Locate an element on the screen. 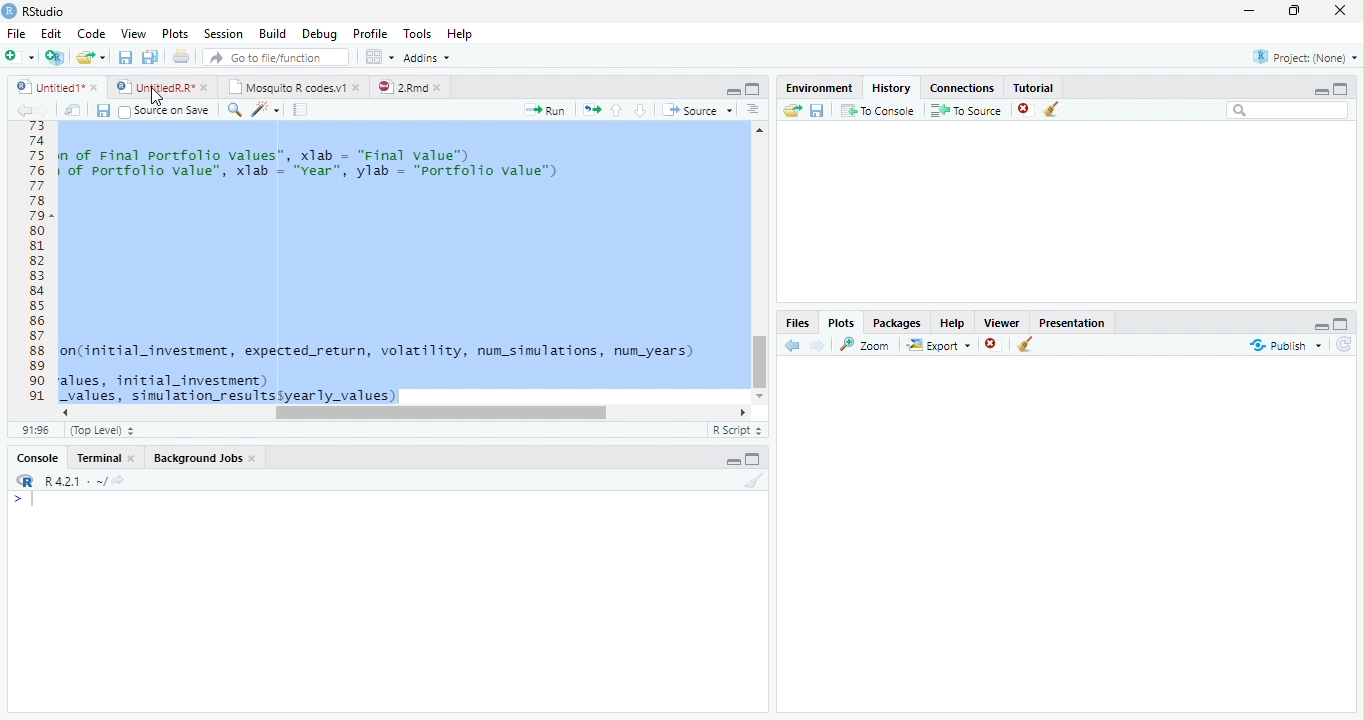 The width and height of the screenshot is (1364, 720). Open new file is located at coordinates (19, 56).